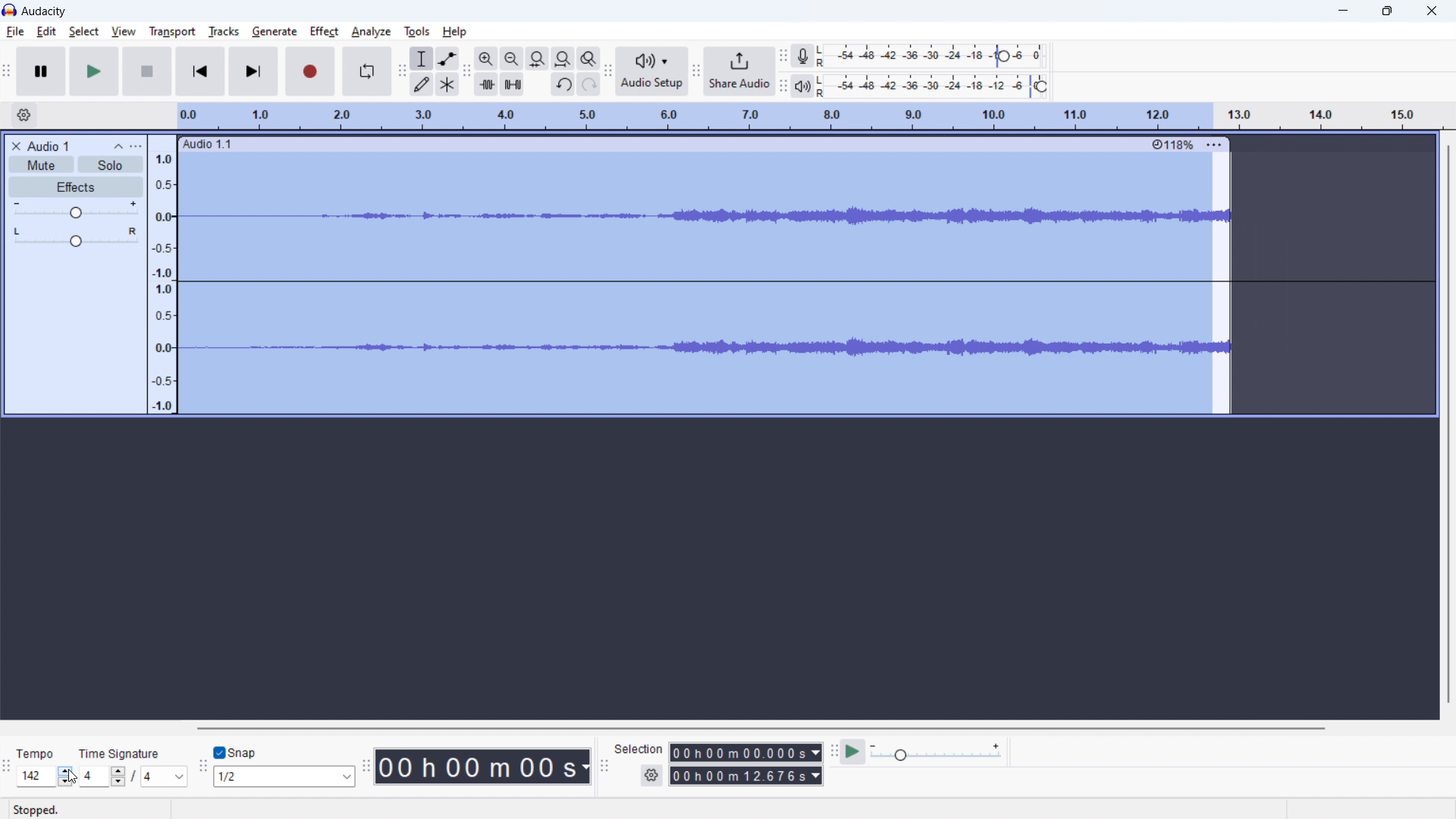 The image size is (1456, 819). I want to click on timeline, so click(807, 116).